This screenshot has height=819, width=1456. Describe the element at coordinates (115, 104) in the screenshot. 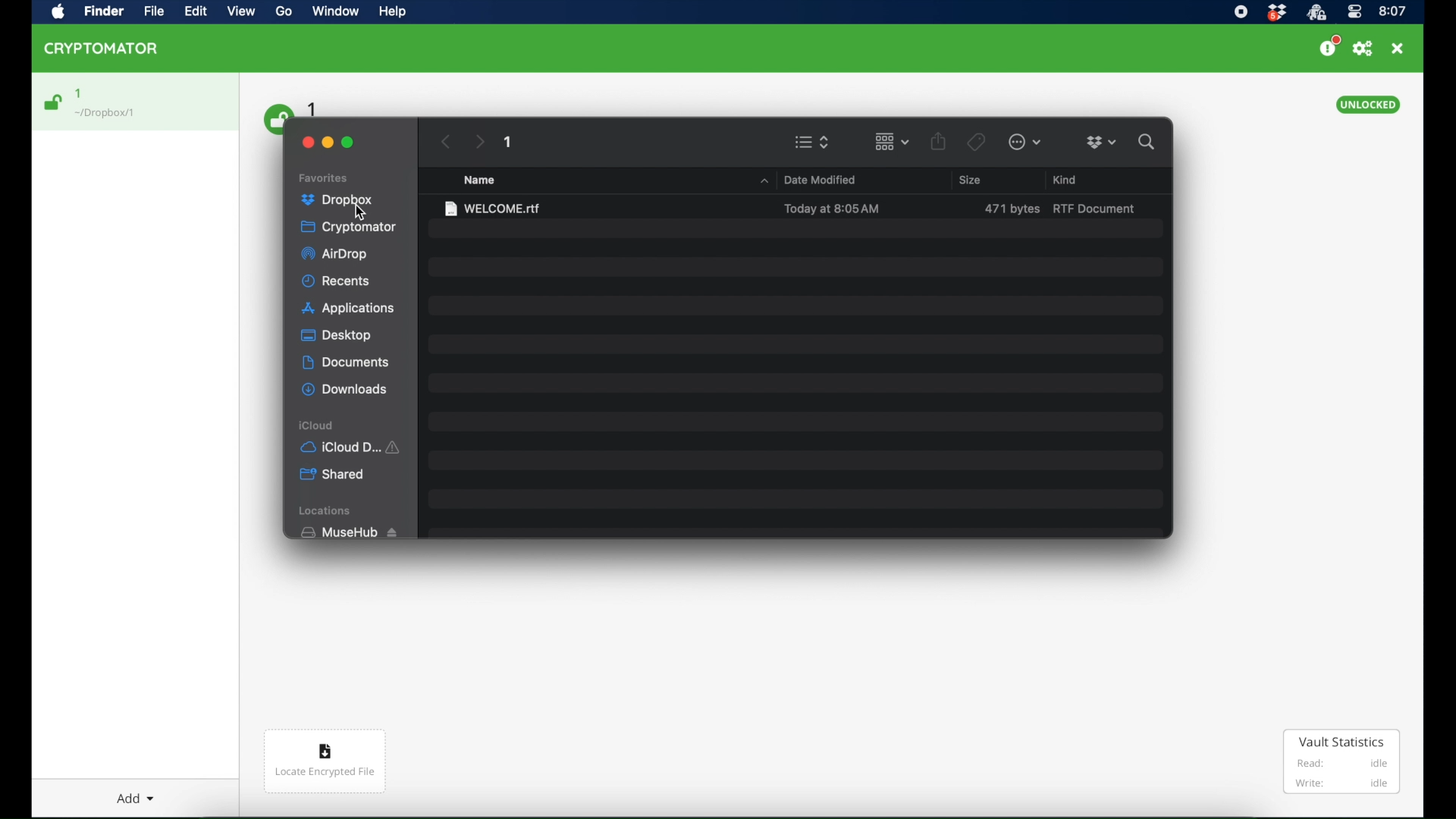

I see `1 Dropbox/1` at that location.